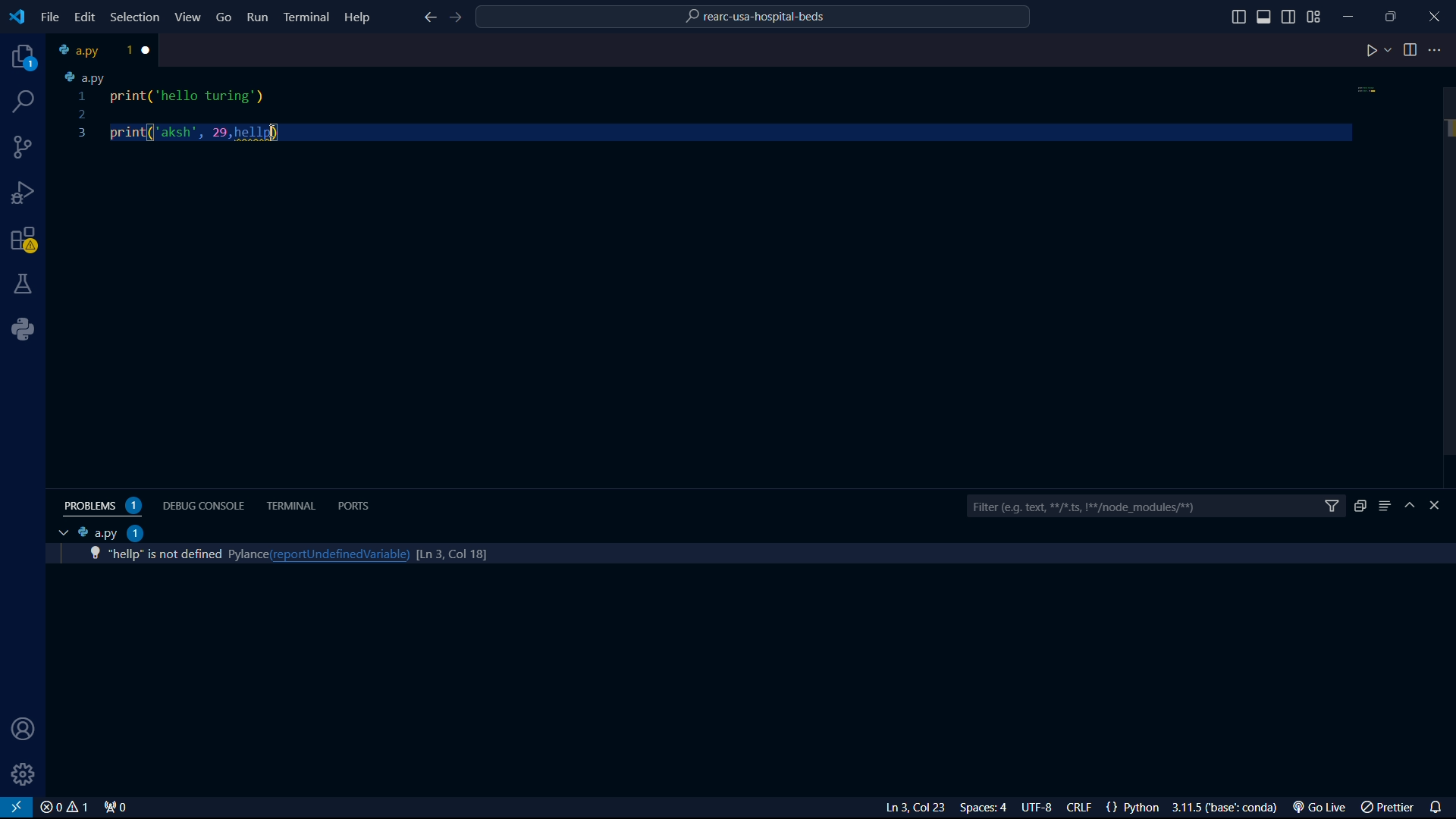  I want to click on play, so click(1378, 52).